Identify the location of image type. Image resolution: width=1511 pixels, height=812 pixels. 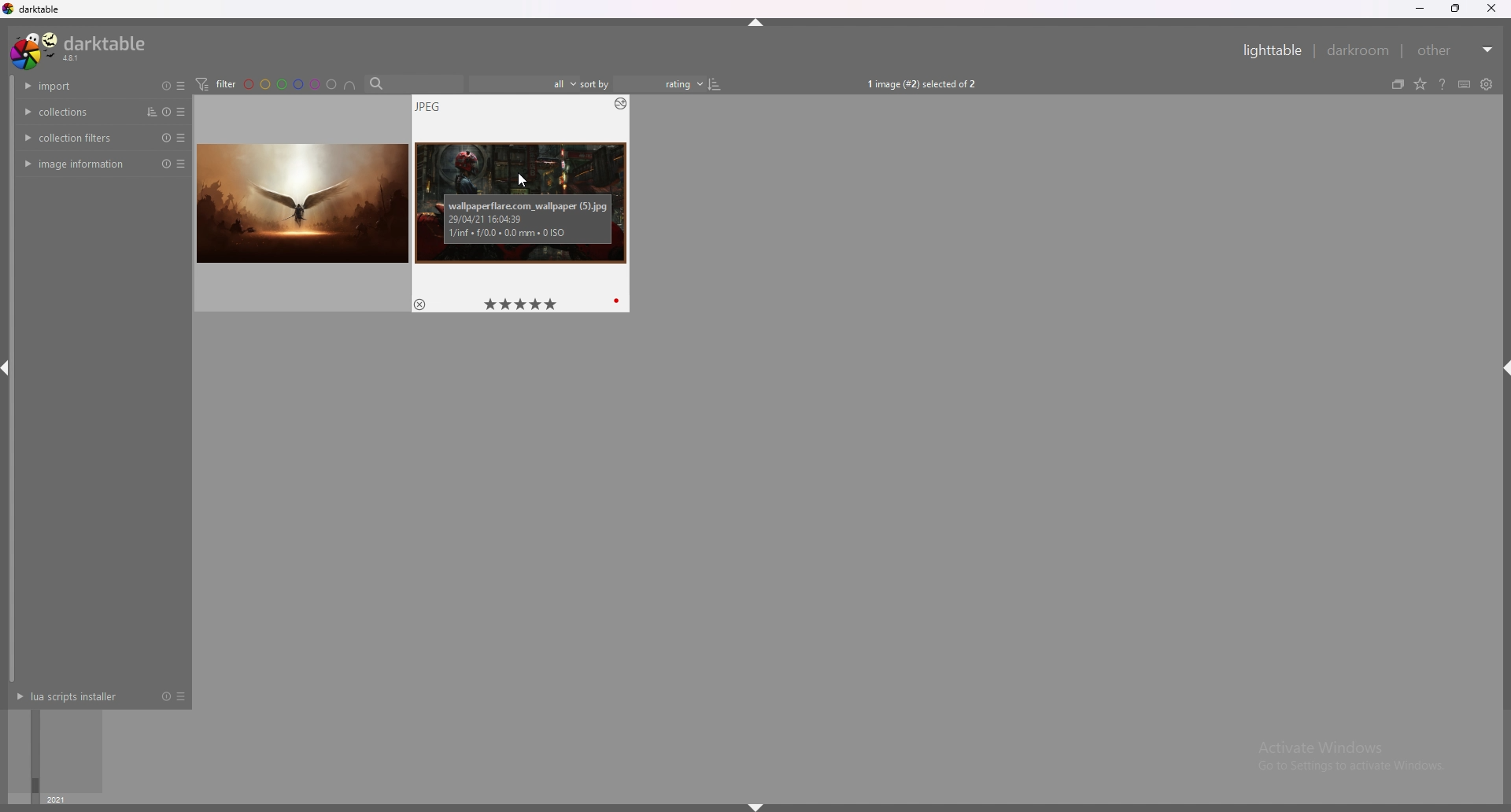
(427, 106).